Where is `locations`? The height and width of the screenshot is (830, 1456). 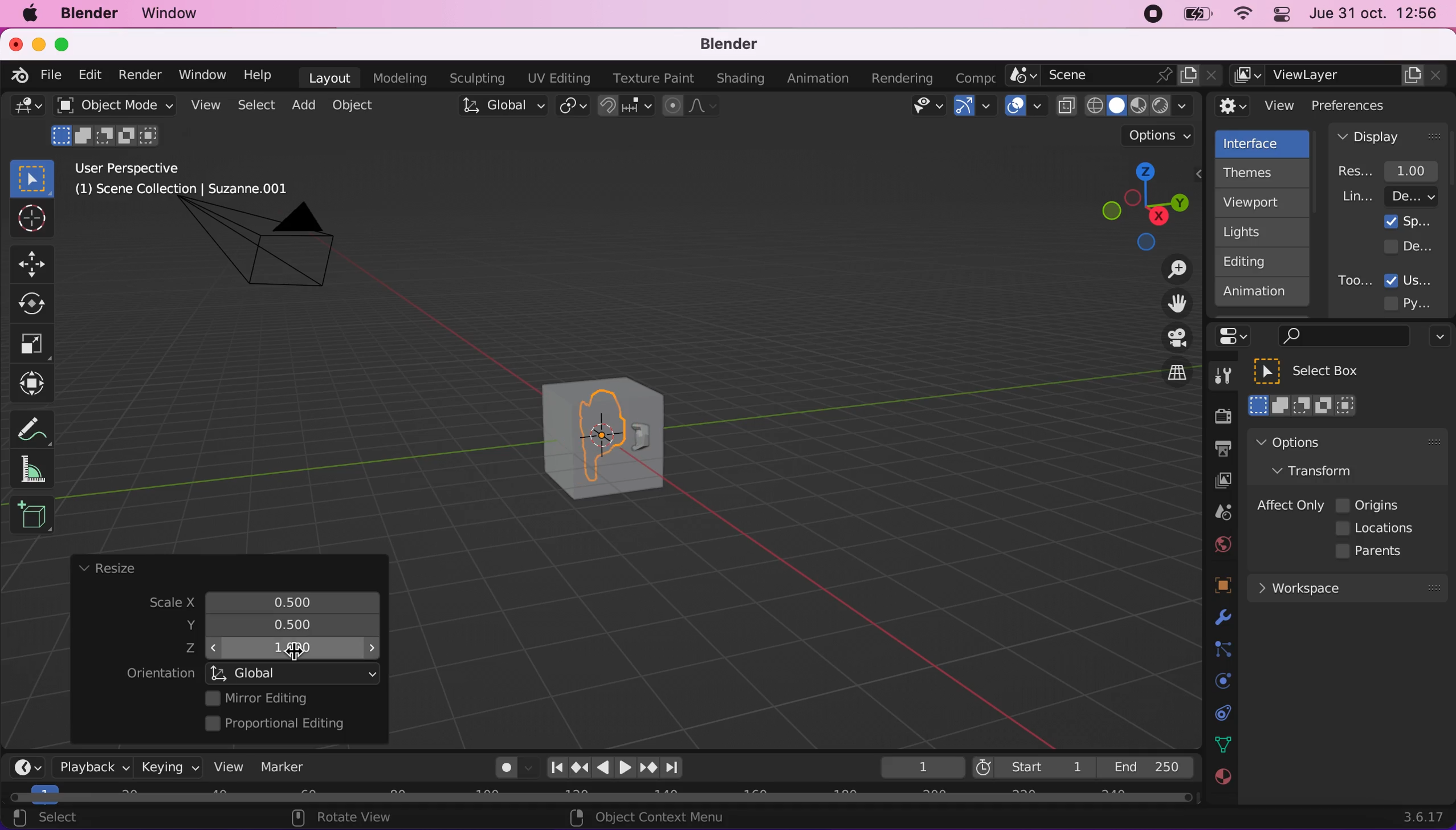 locations is located at coordinates (1378, 528).